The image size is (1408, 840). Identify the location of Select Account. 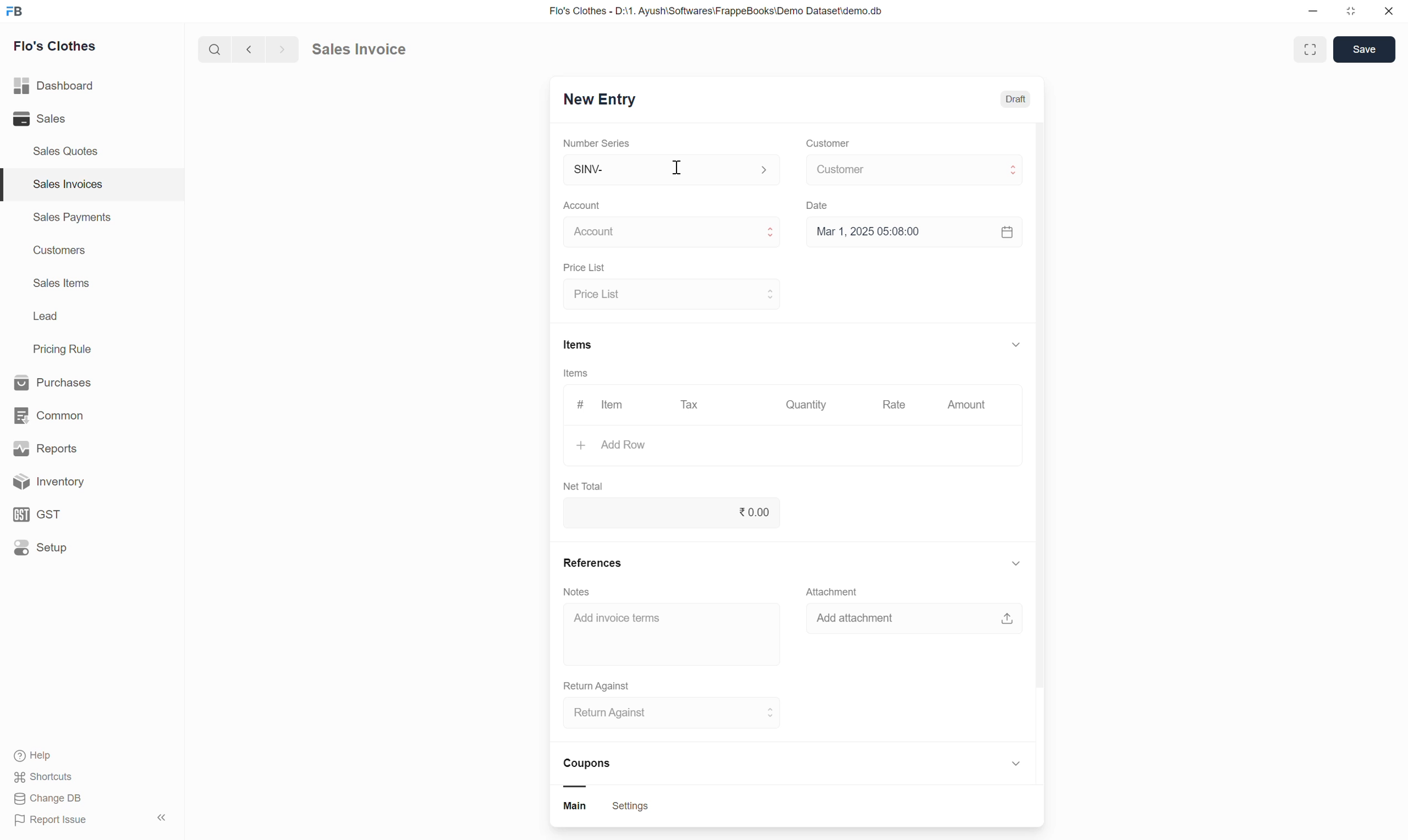
(666, 235).